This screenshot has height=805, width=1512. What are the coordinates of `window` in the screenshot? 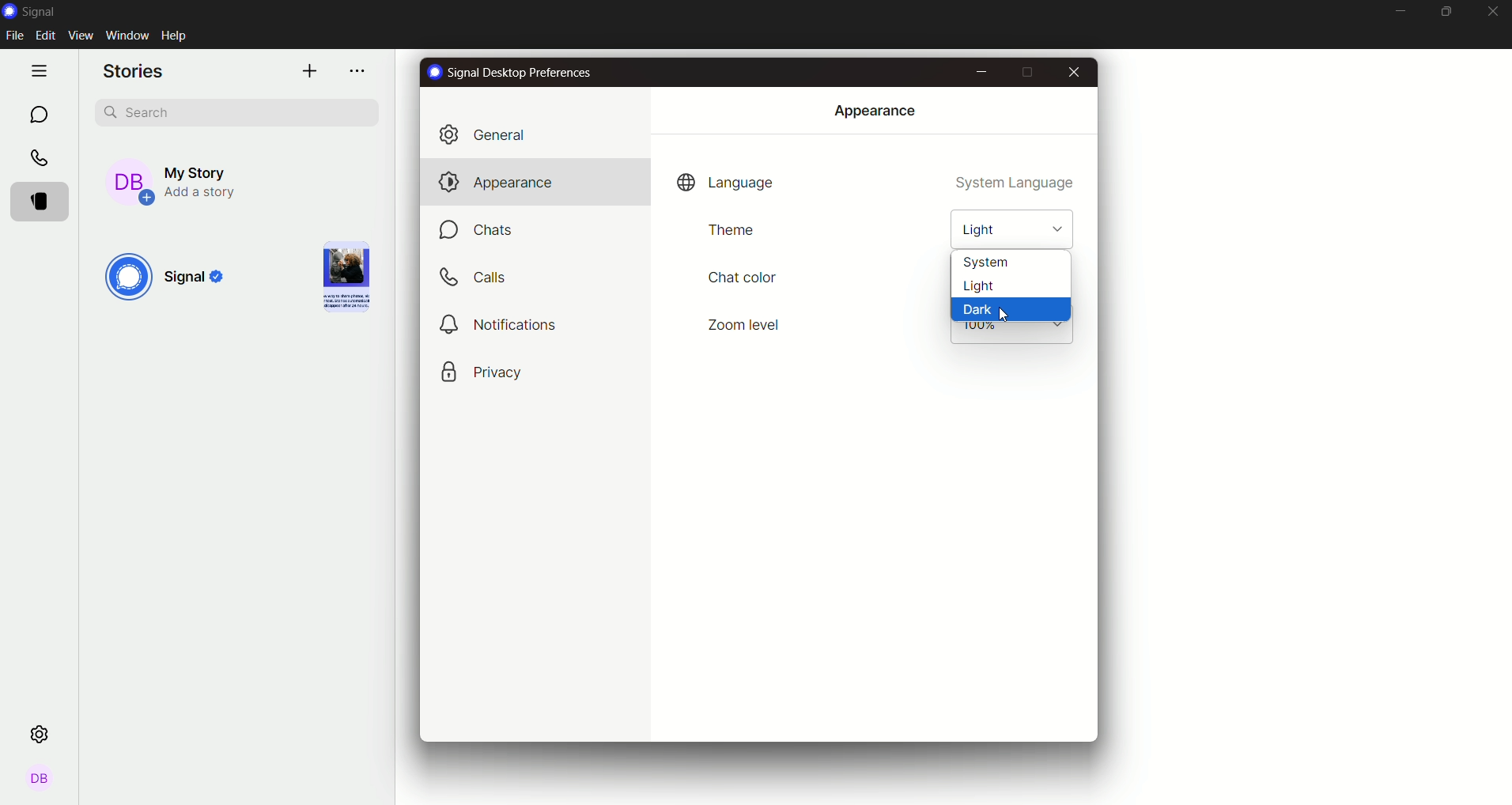 It's located at (127, 34).